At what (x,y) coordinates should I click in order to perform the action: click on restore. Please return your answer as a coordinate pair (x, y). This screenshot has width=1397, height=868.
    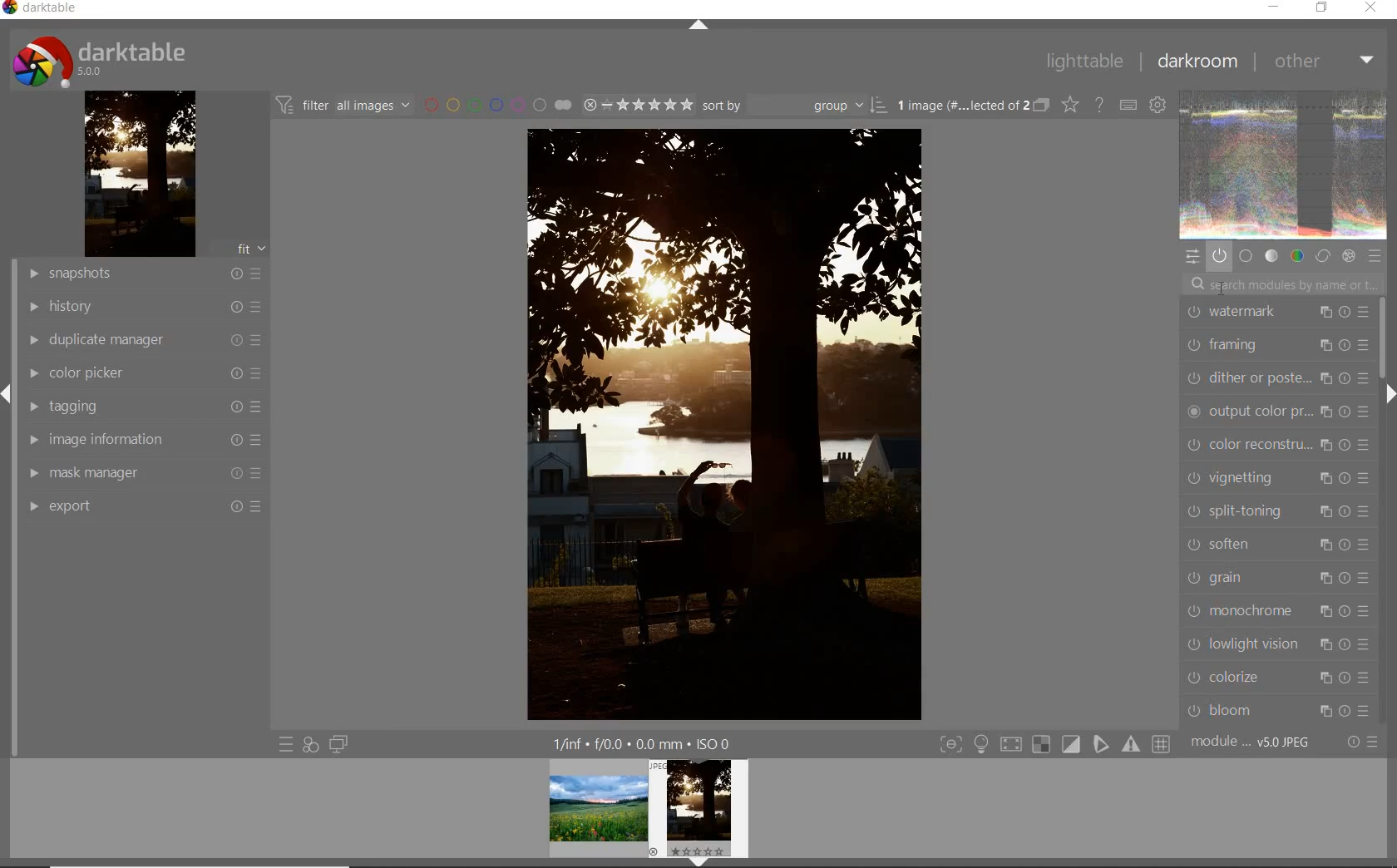
    Looking at the image, I should click on (1324, 8).